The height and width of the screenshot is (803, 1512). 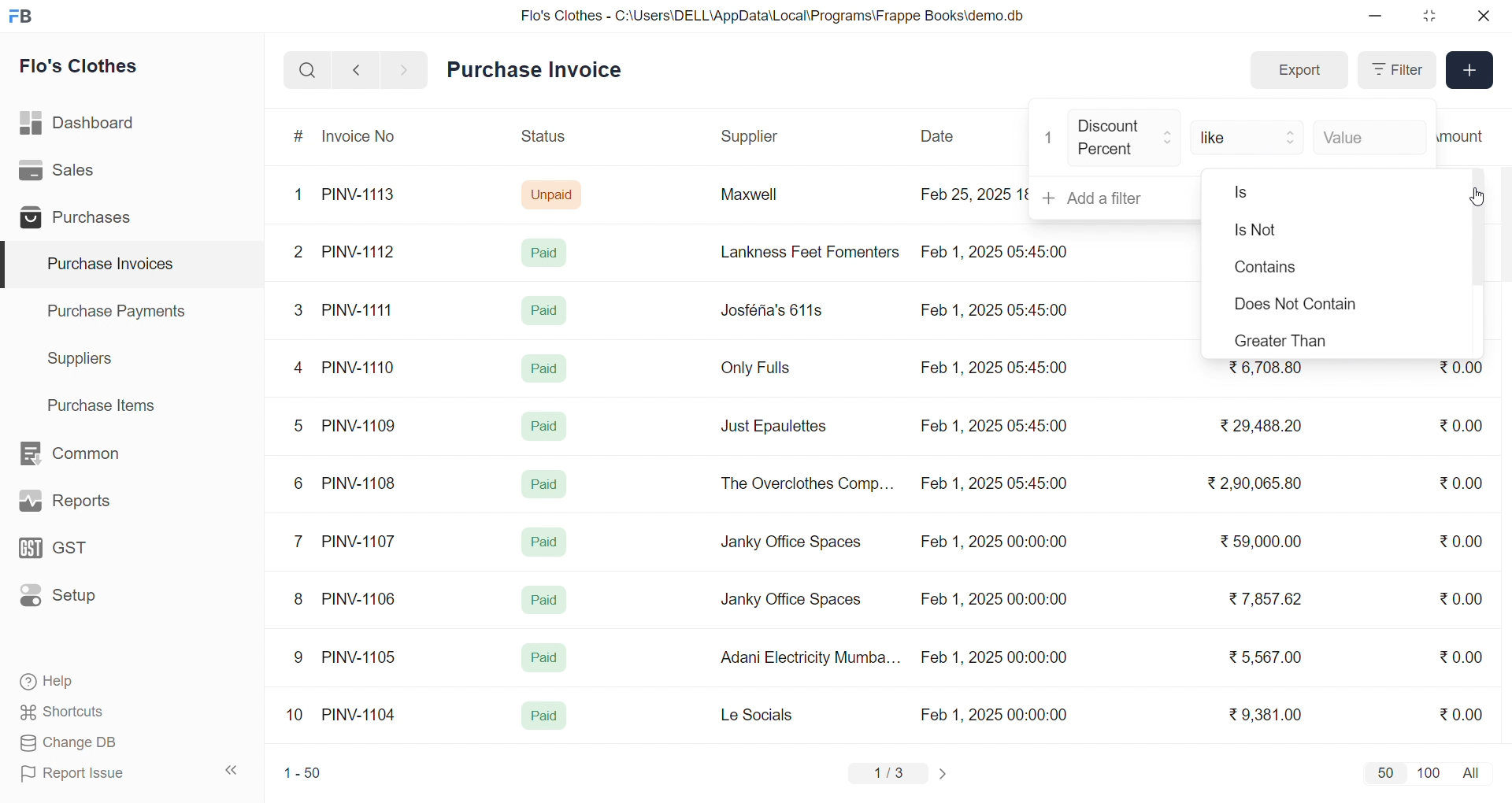 I want to click on resize, so click(x=1429, y=16).